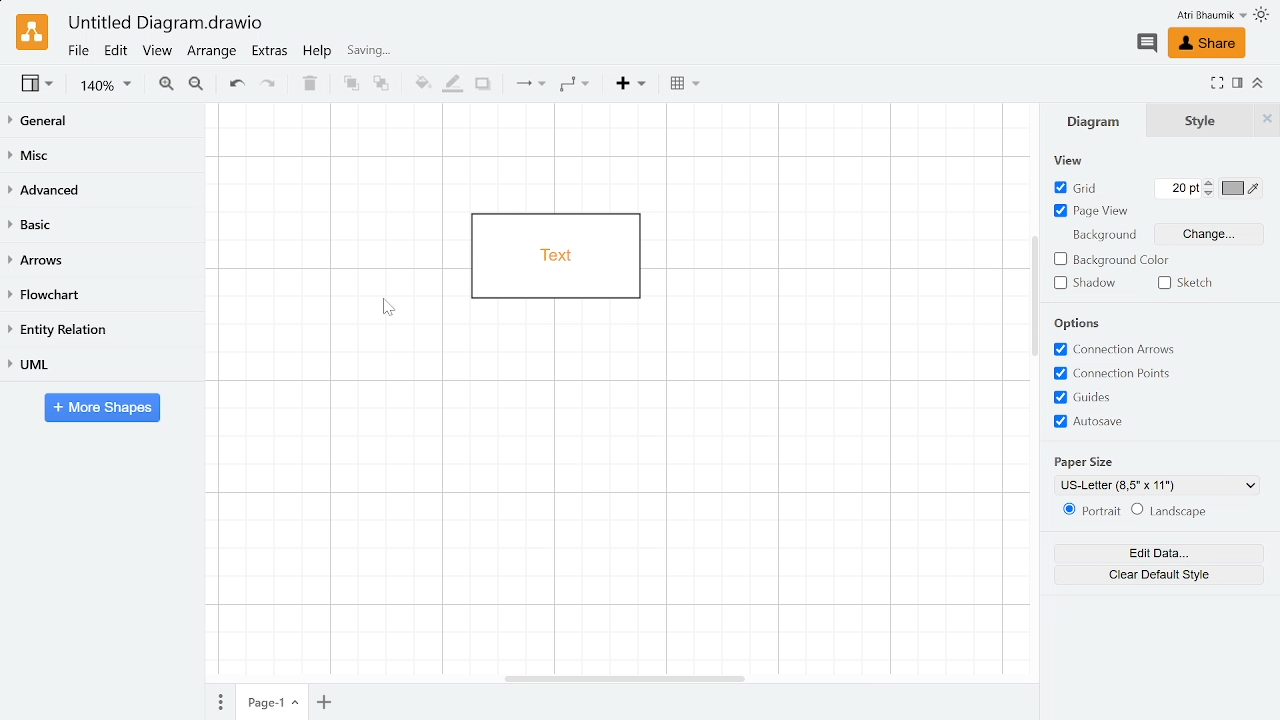 This screenshot has width=1280, height=720. I want to click on close, so click(1270, 119).